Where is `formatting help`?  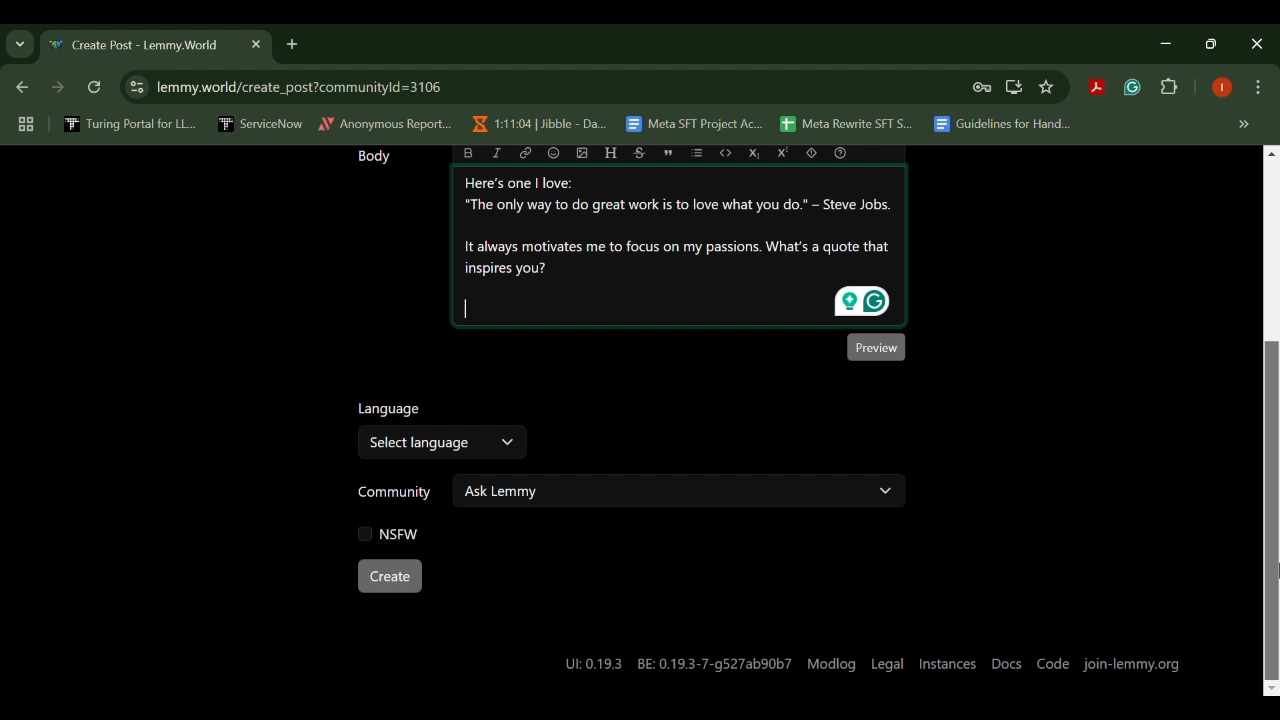 formatting help is located at coordinates (839, 153).